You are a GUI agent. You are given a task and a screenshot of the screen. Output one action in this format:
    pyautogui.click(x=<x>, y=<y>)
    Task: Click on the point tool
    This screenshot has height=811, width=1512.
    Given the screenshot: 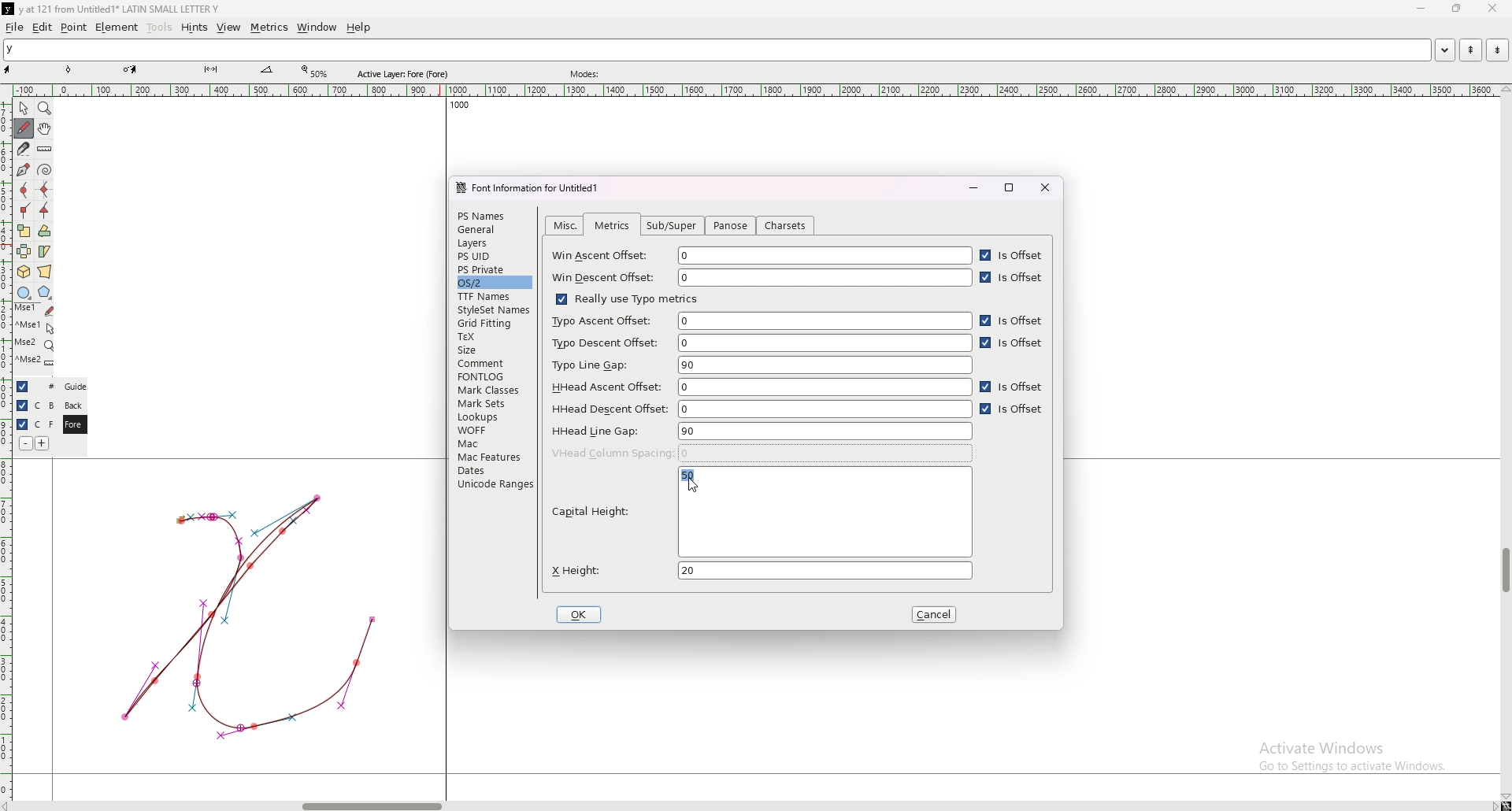 What is the action you would take?
    pyautogui.click(x=69, y=69)
    